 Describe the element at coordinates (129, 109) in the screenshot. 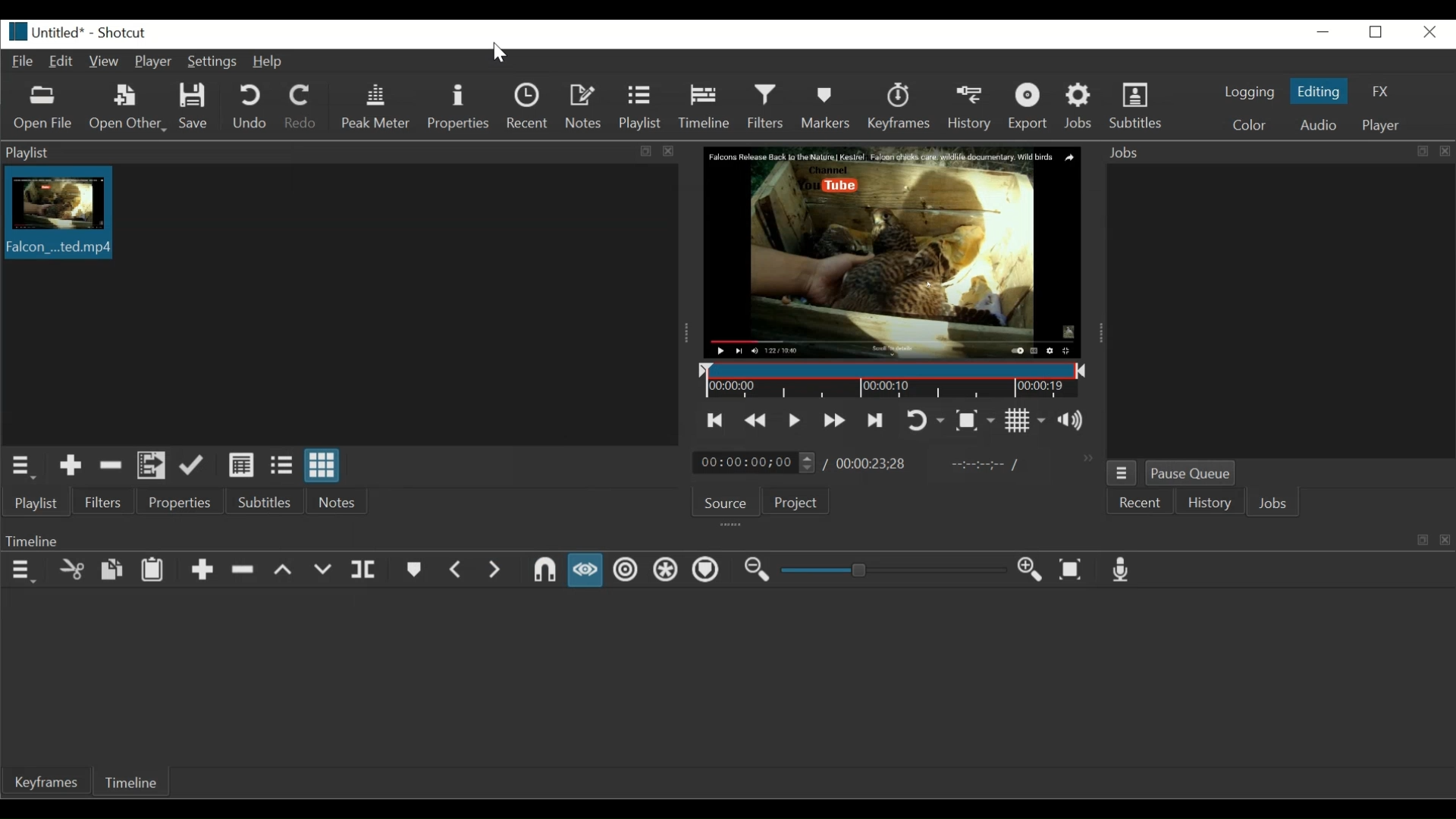

I see `Open Other` at that location.